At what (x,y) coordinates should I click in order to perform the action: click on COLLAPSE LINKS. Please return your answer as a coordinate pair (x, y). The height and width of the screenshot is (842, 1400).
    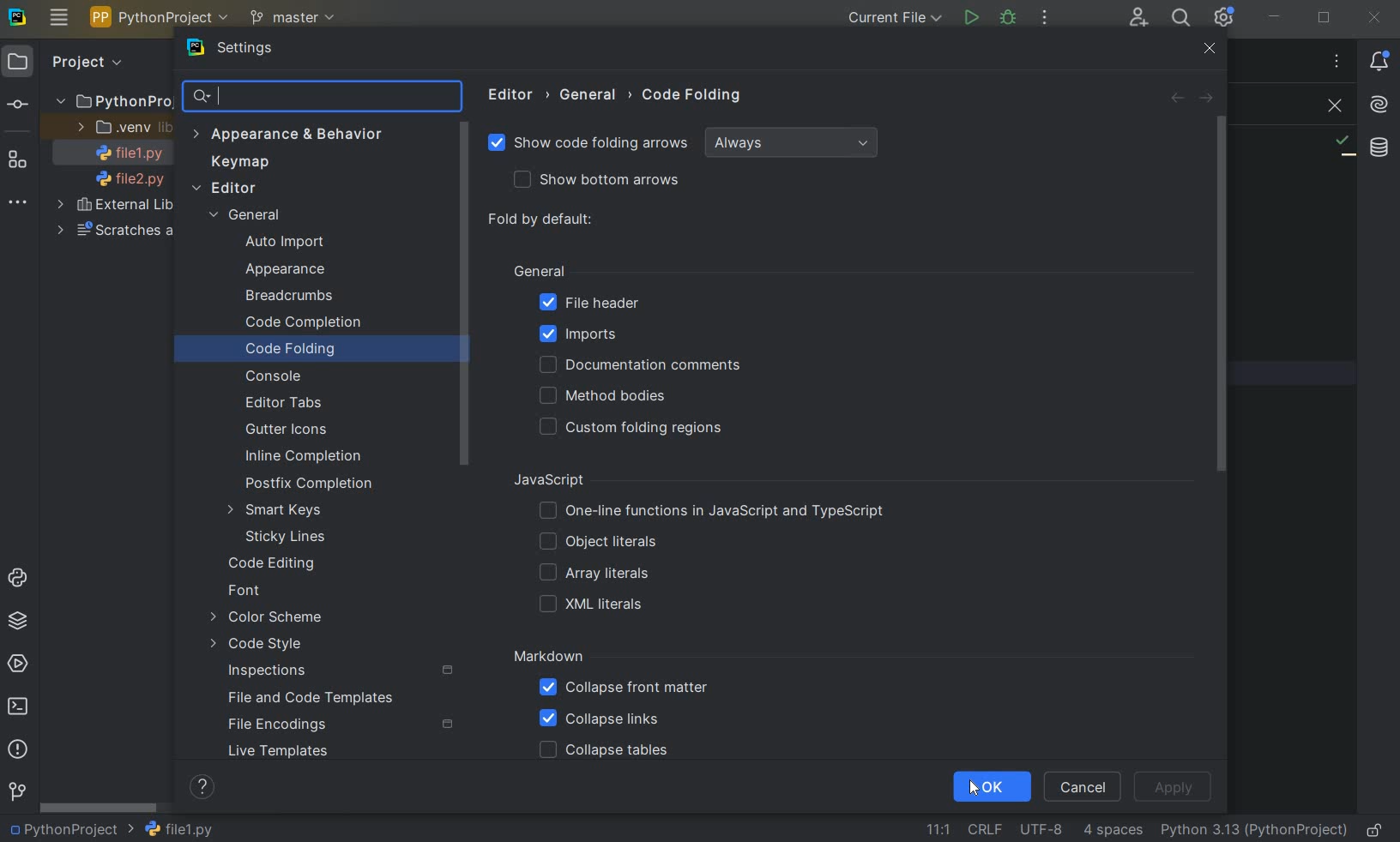
    Looking at the image, I should click on (600, 719).